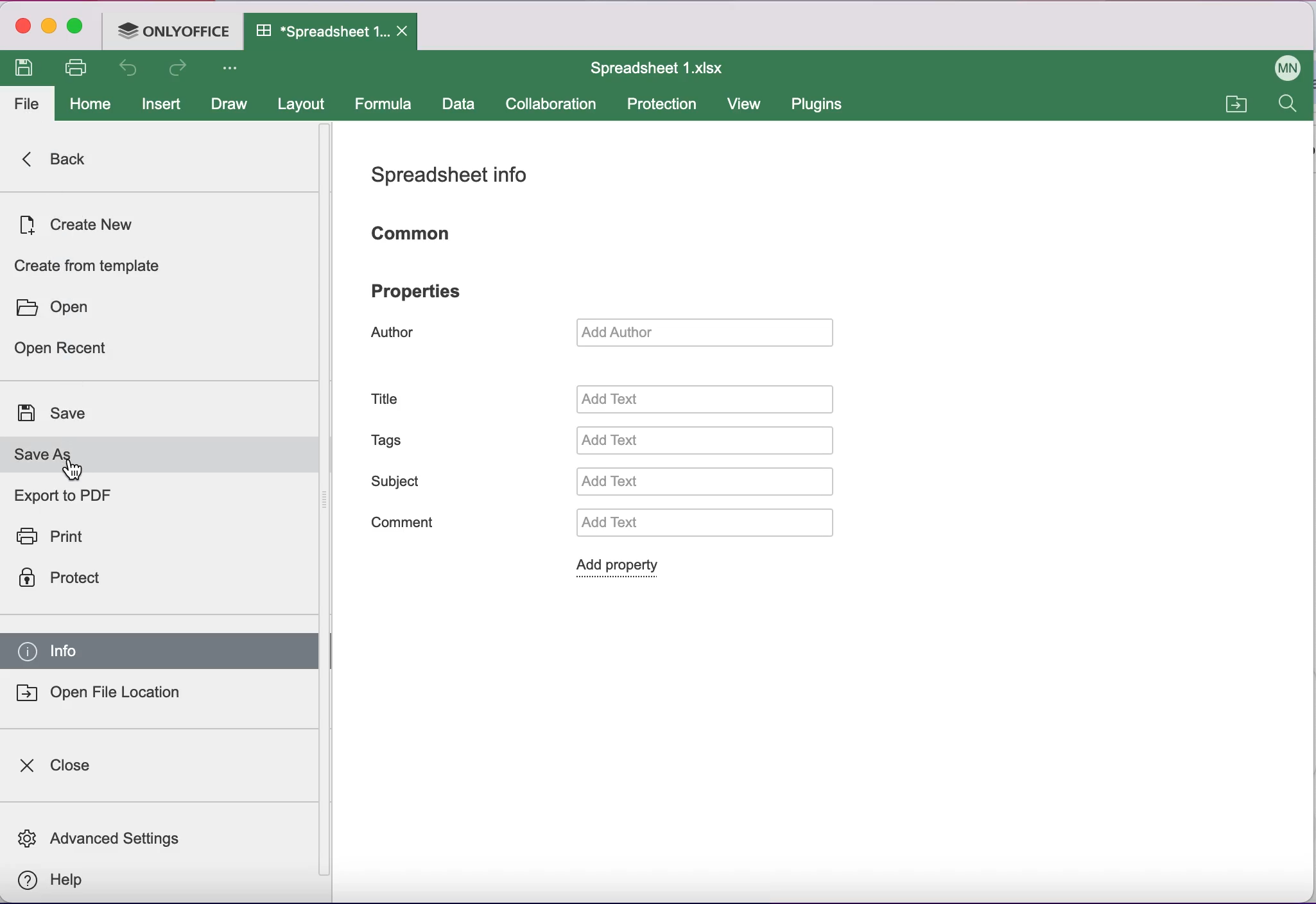  I want to click on save, so click(64, 415).